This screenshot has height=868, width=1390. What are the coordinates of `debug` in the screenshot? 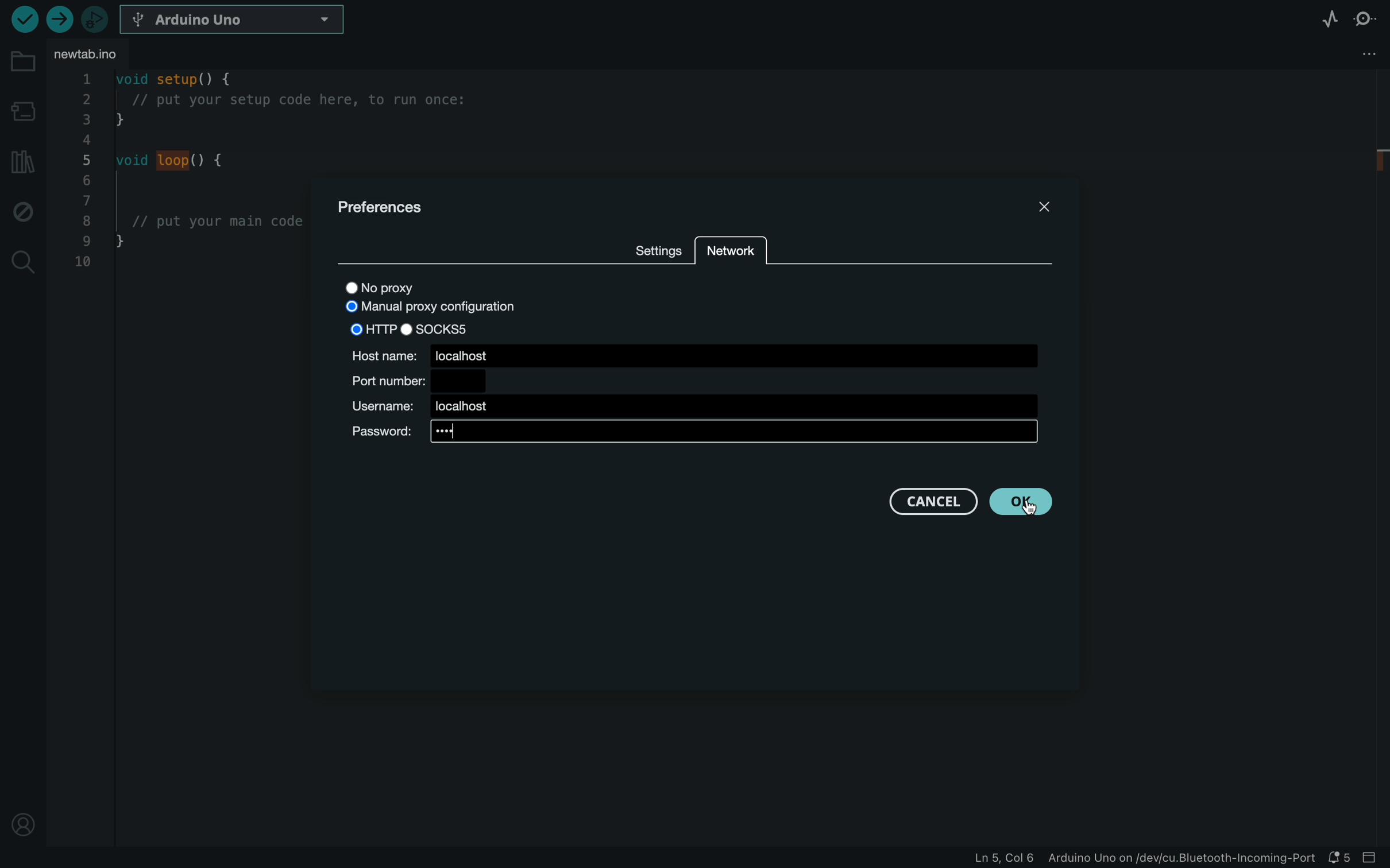 It's located at (23, 211).